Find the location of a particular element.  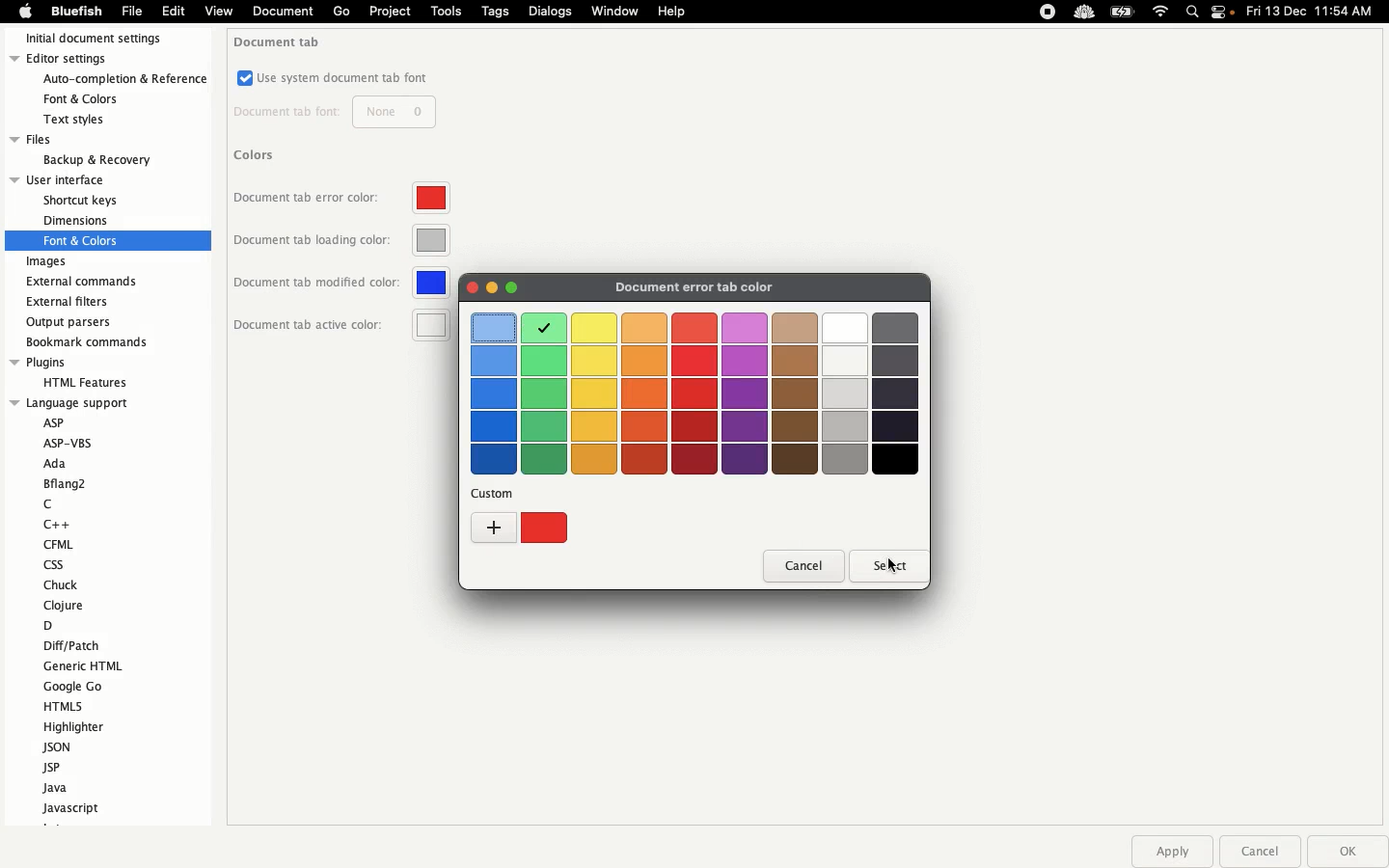

shortcut keys is located at coordinates (82, 202).